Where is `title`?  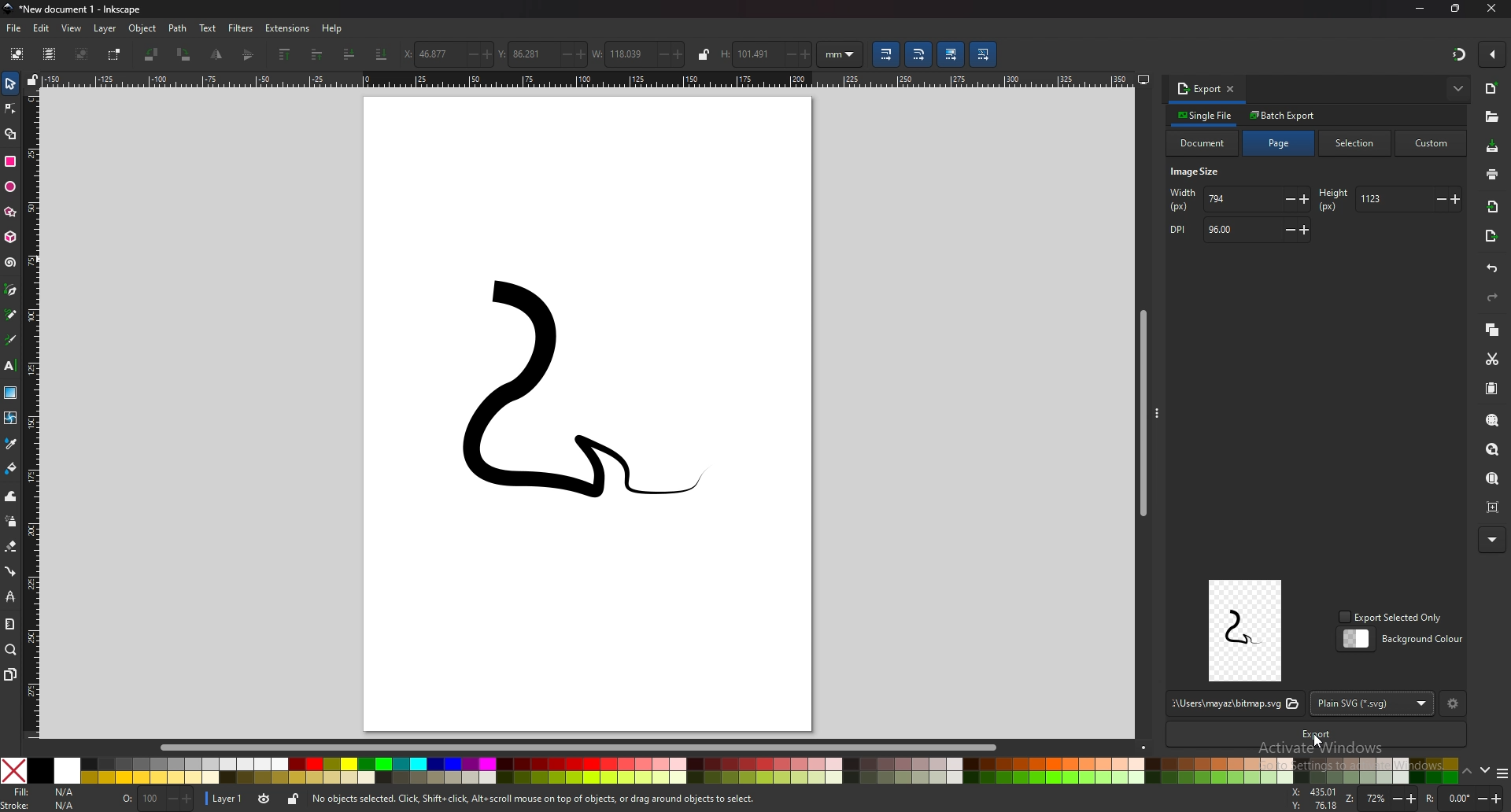
title is located at coordinates (78, 9).